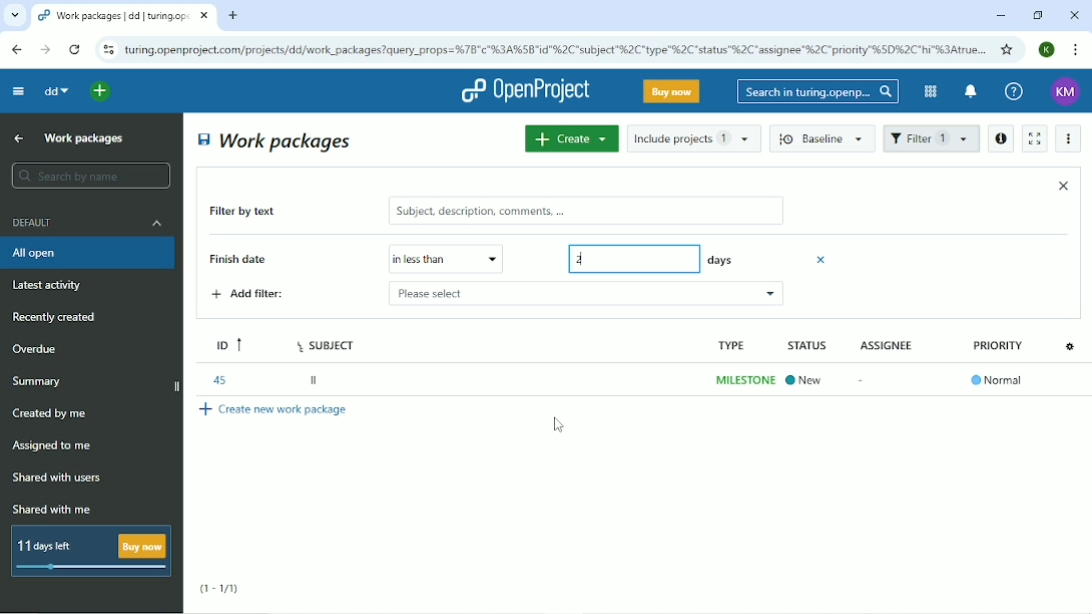  Describe the element at coordinates (672, 91) in the screenshot. I see `Buy now` at that location.